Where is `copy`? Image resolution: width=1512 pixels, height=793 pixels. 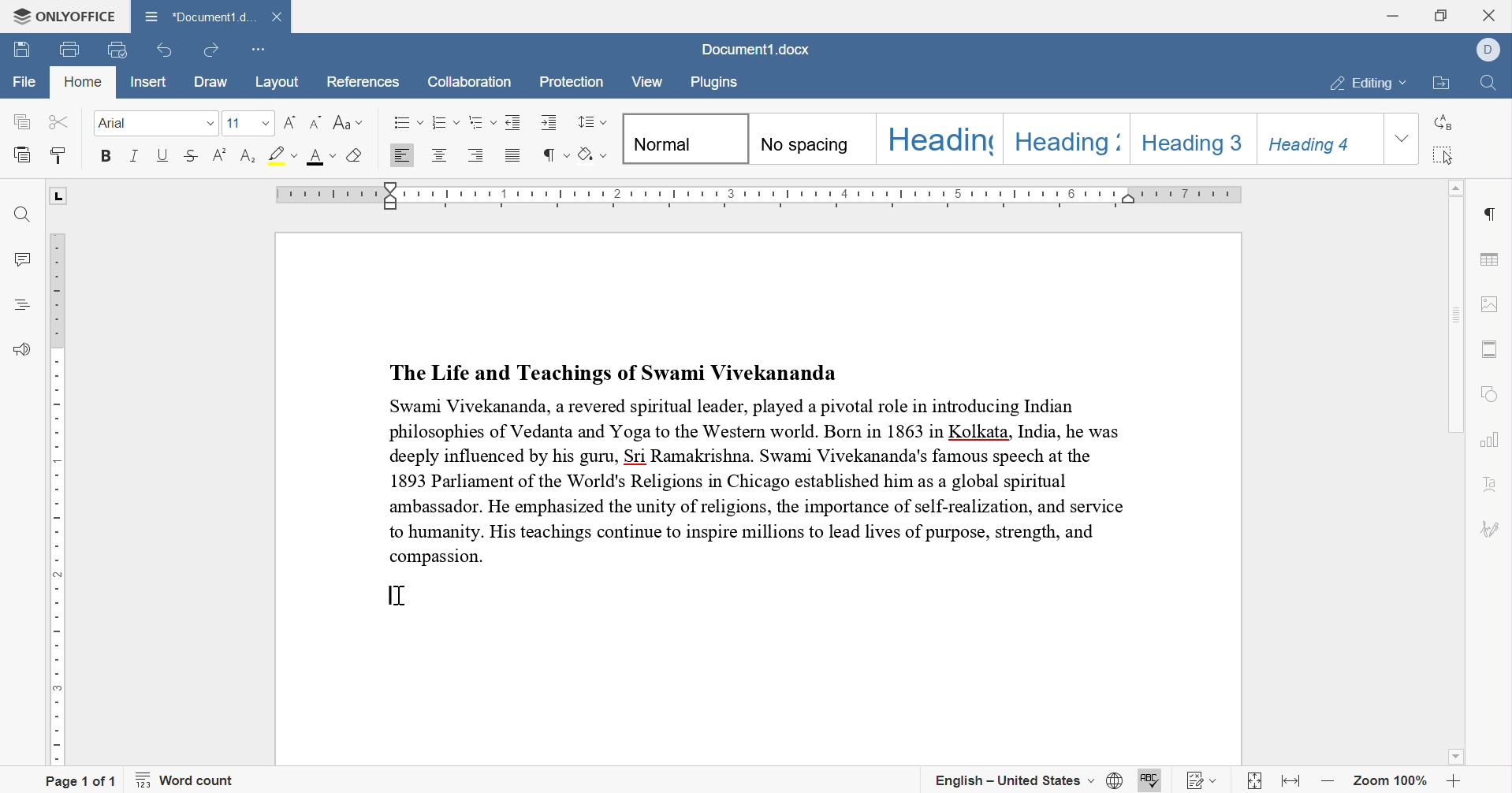 copy is located at coordinates (21, 121).